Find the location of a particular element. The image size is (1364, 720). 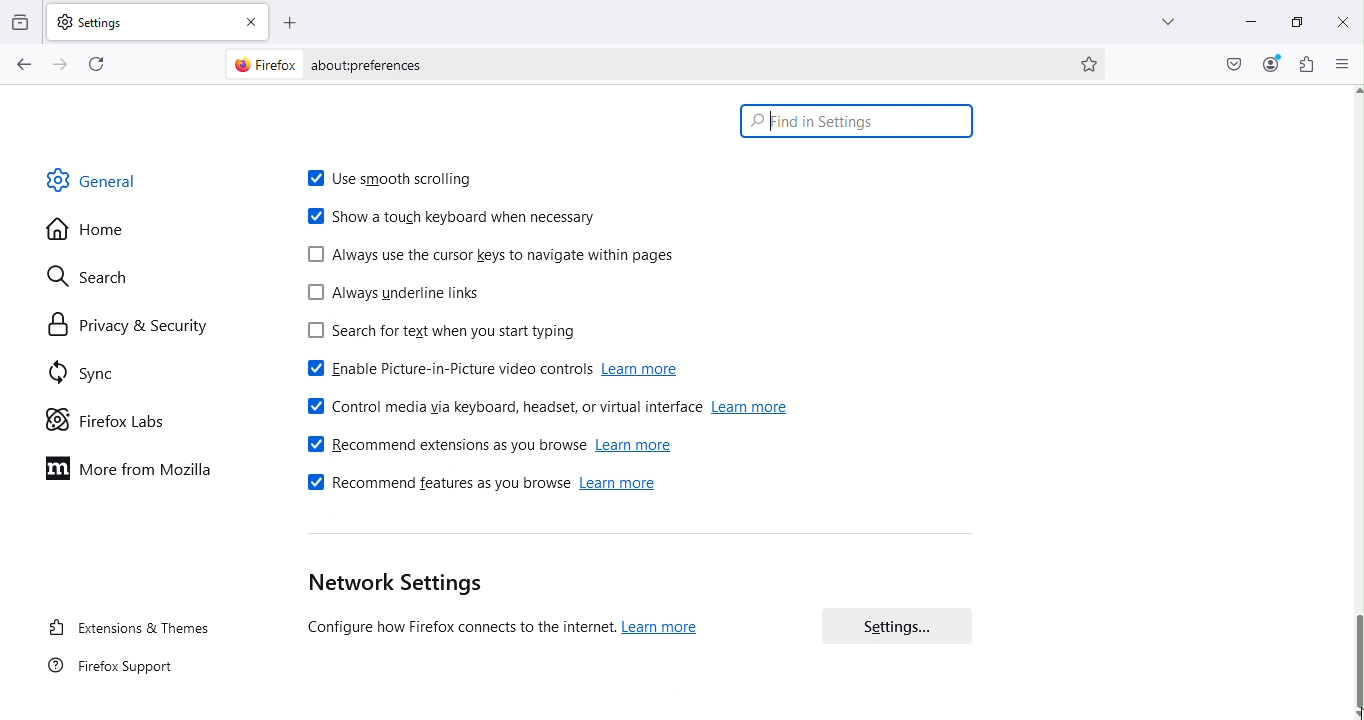

firefox logo is located at coordinates (260, 64).